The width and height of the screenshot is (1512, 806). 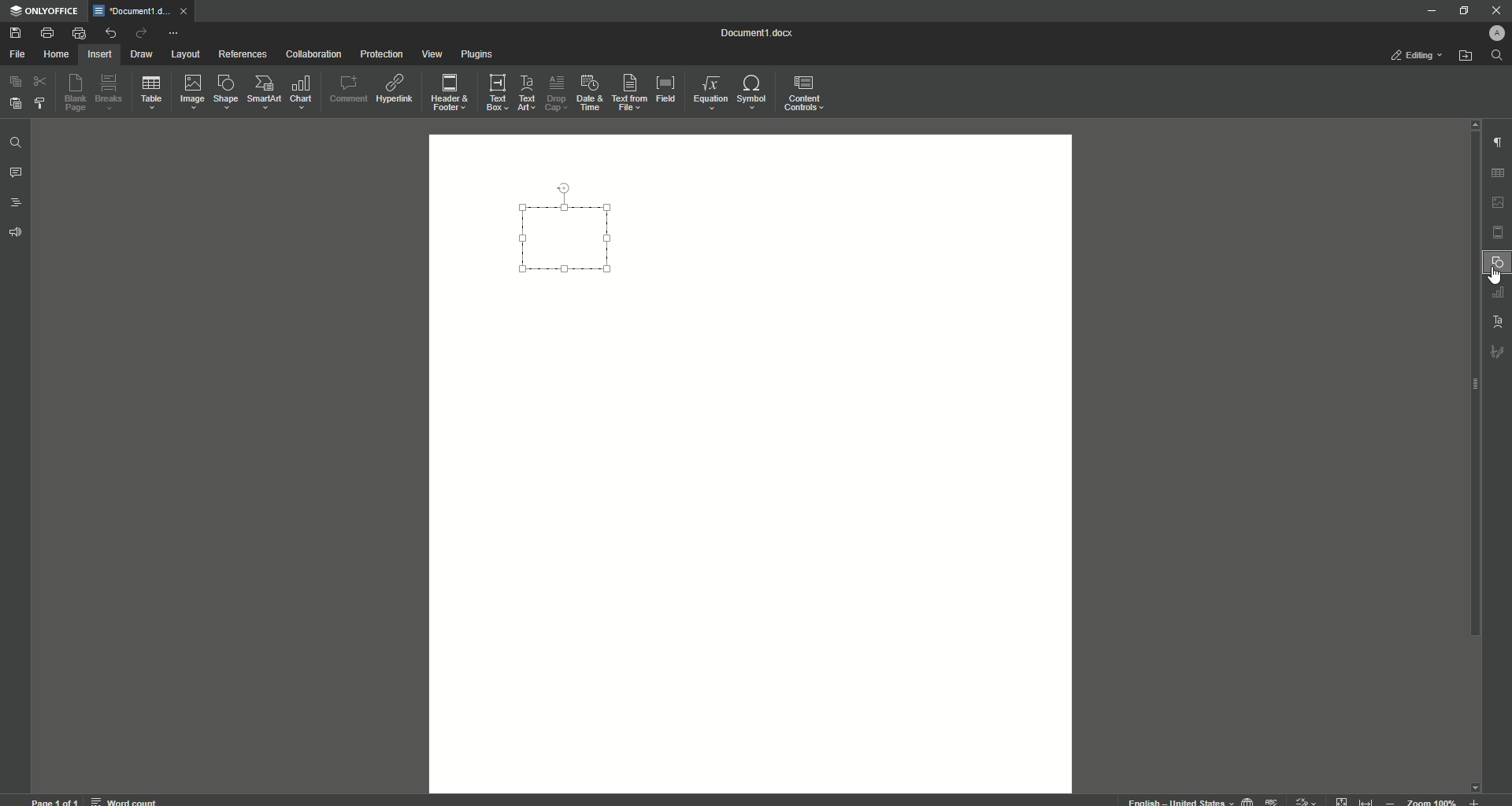 I want to click on Restore, so click(x=1462, y=11).